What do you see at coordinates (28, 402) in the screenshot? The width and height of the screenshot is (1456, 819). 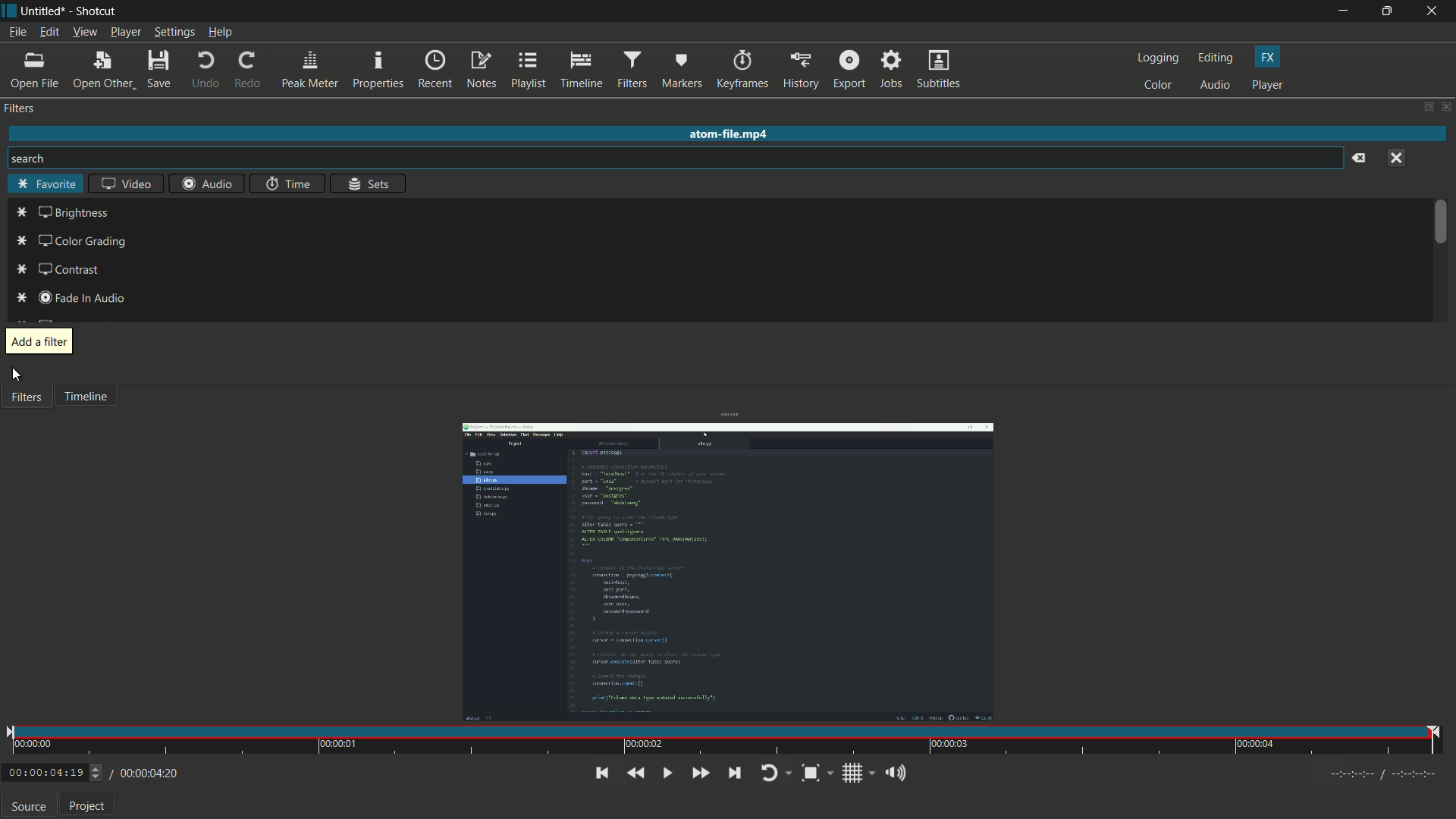 I see `Filters` at bounding box center [28, 402].